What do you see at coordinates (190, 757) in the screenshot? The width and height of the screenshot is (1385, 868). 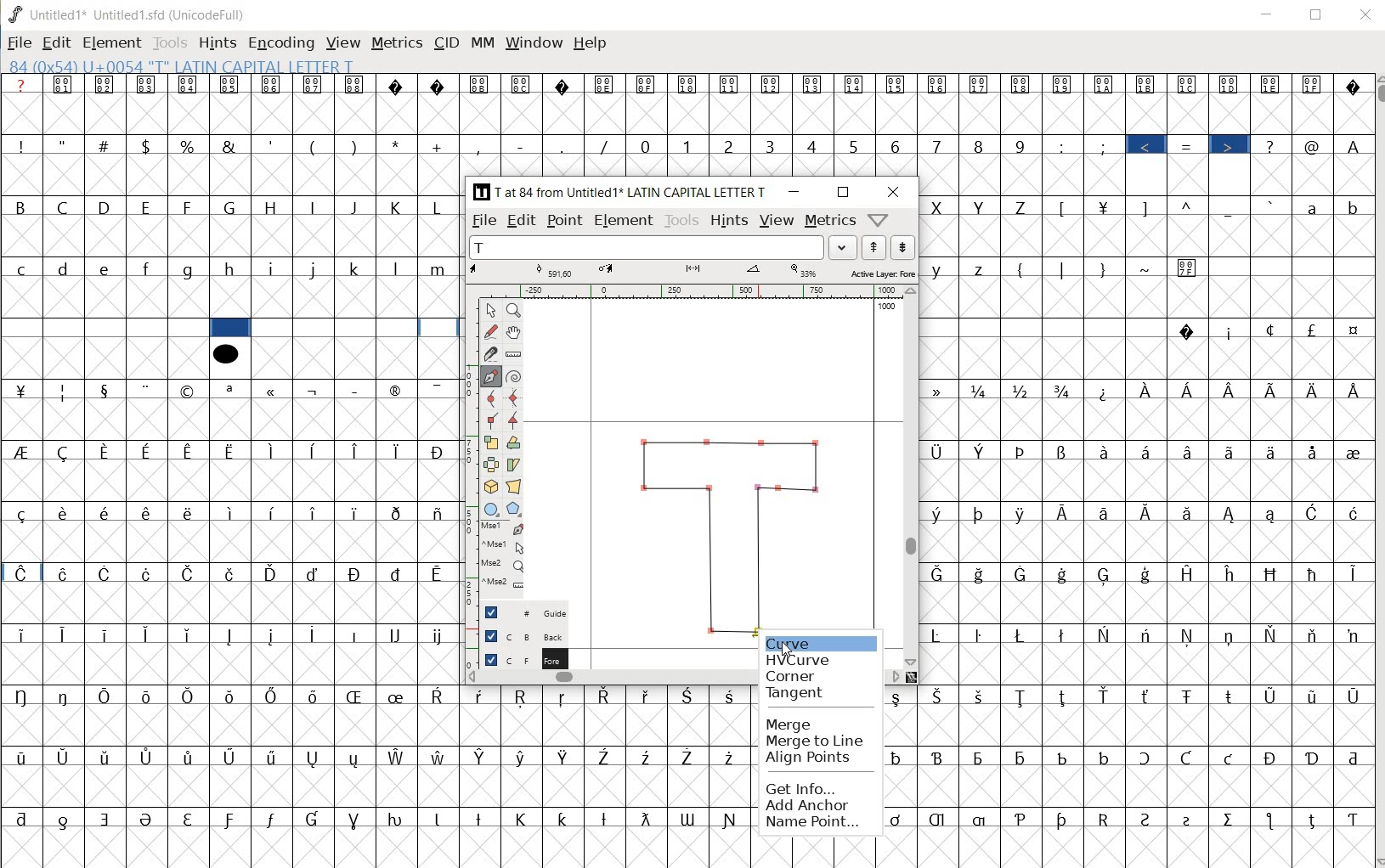 I see `Symbol` at bounding box center [190, 757].